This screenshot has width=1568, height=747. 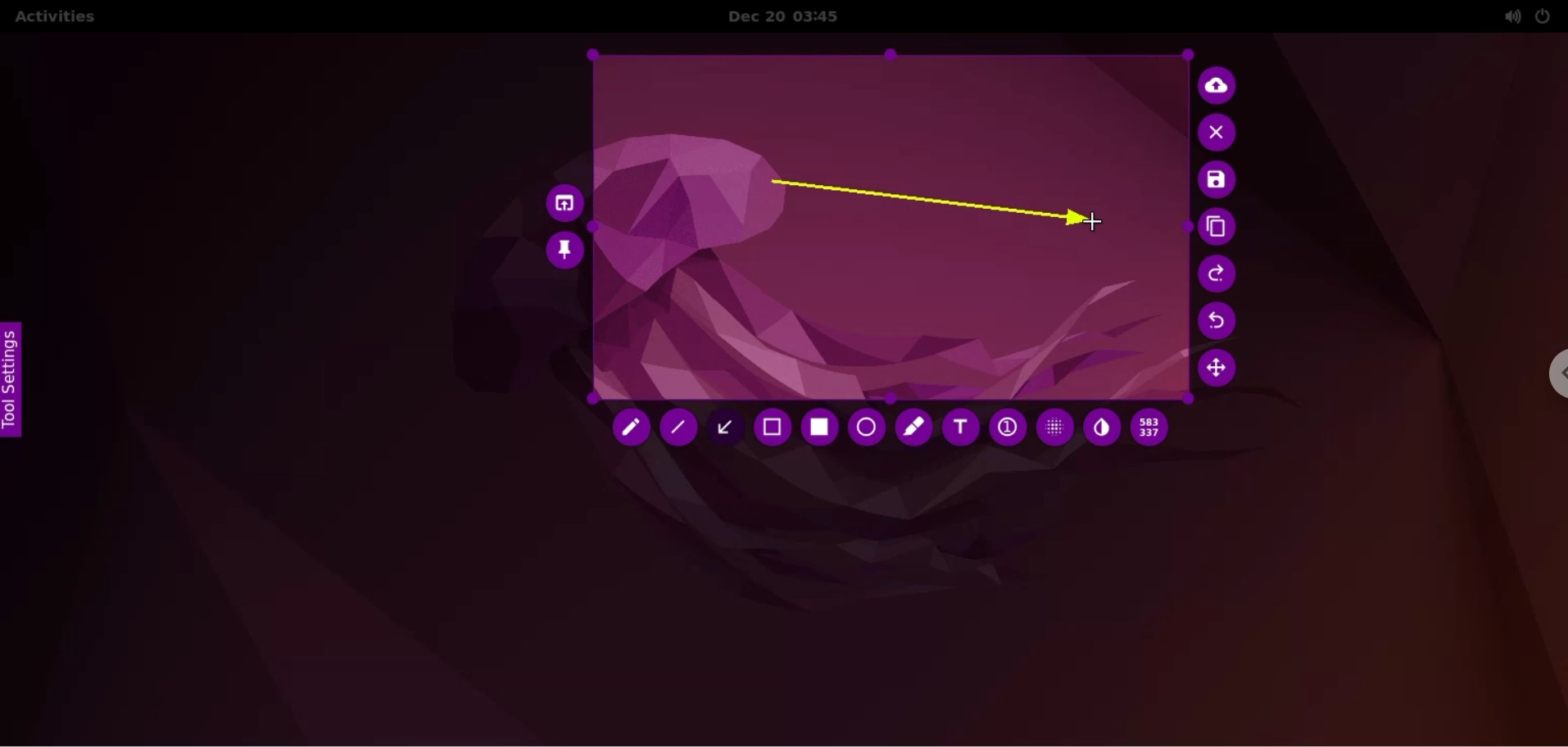 I want to click on circle tool, so click(x=864, y=428).